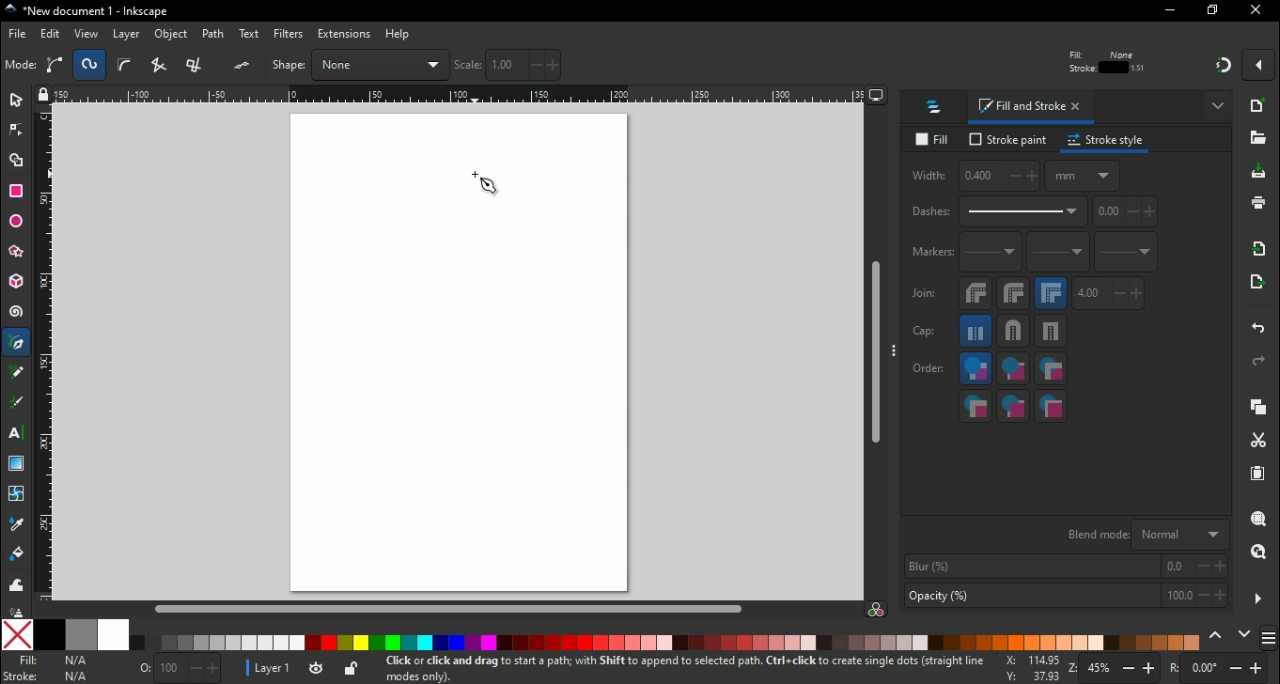 The image size is (1280, 684). I want to click on undo, so click(1256, 332).